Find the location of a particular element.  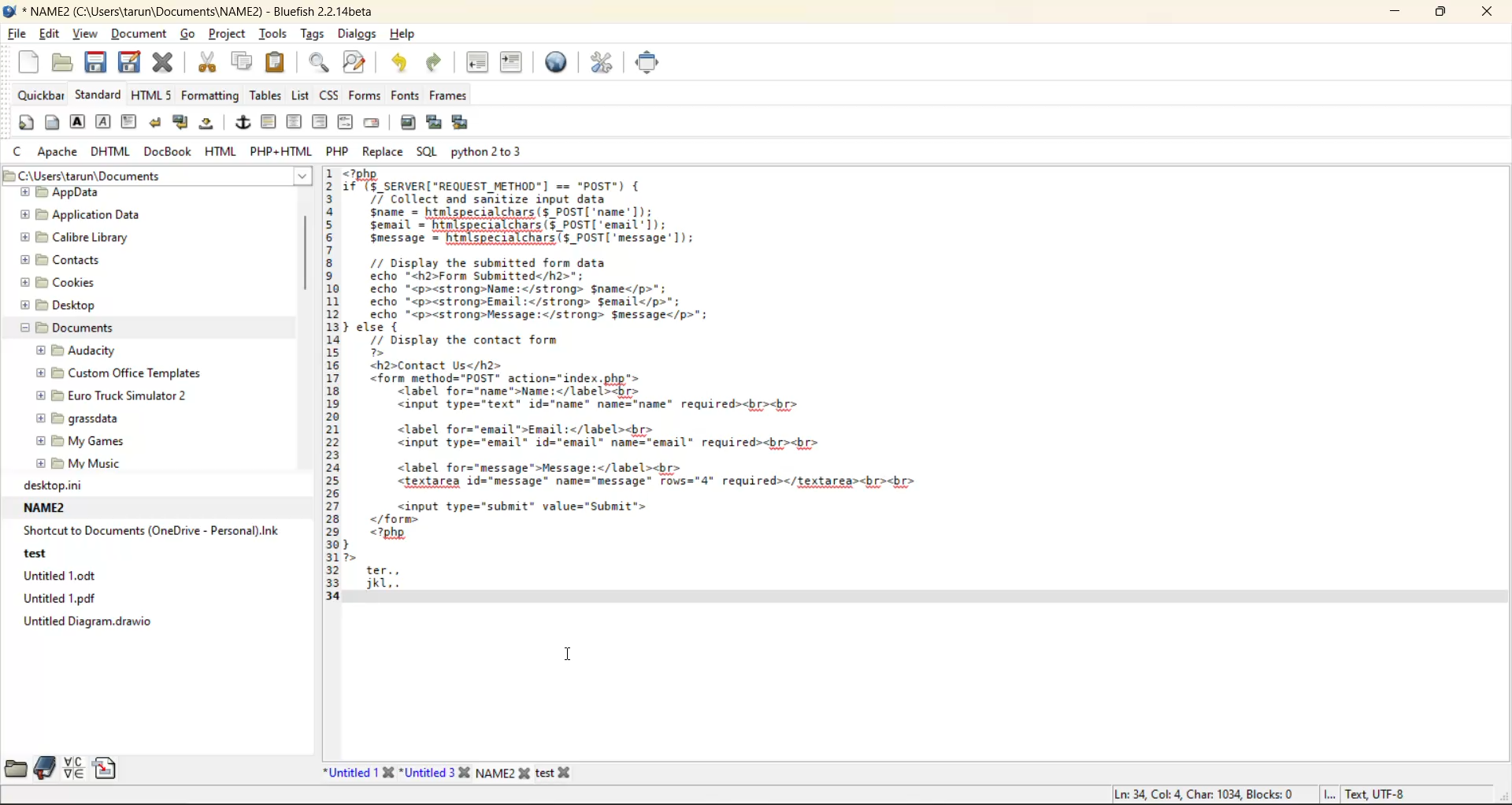

center is located at coordinates (296, 124).